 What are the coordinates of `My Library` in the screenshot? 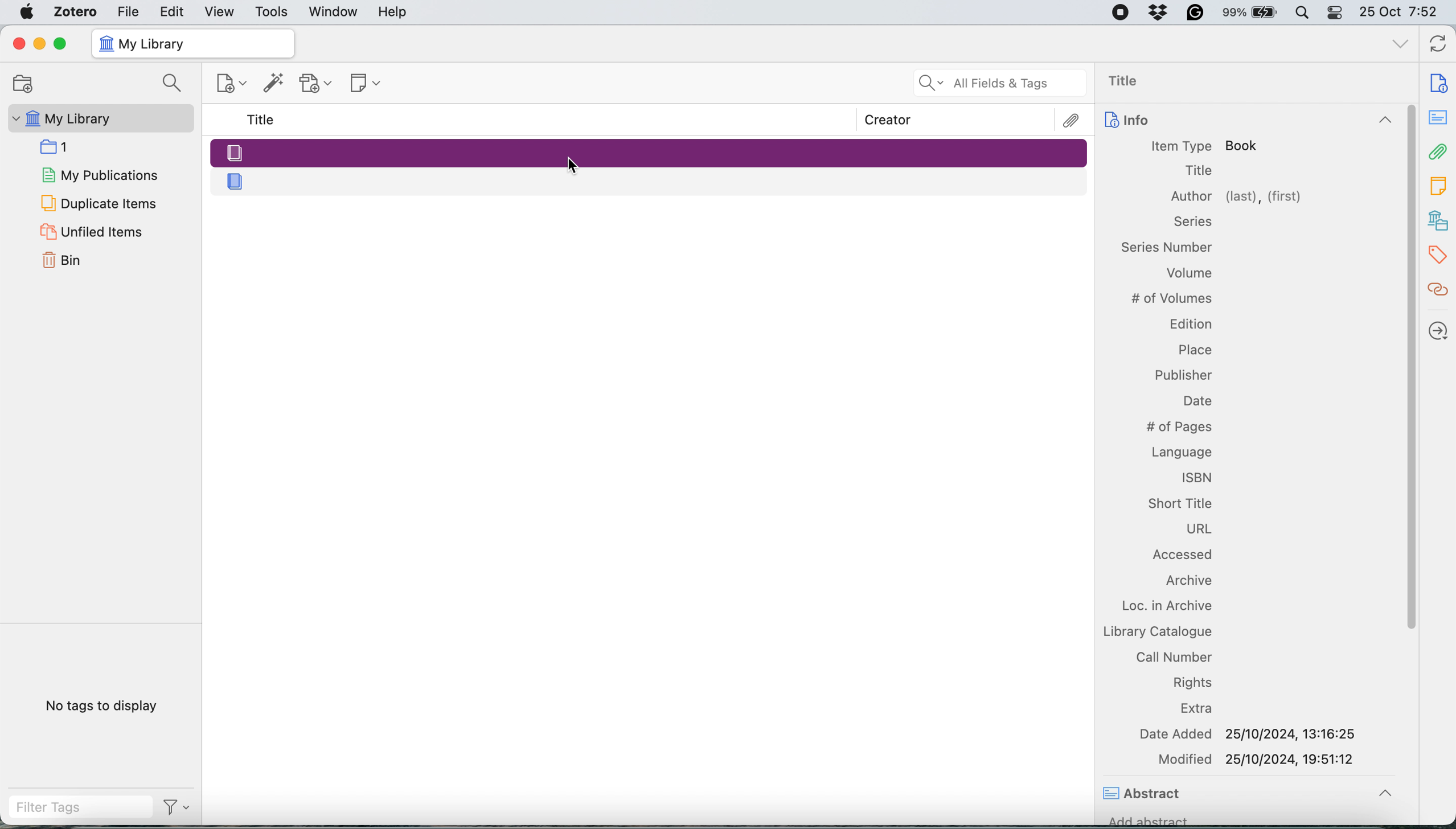 It's located at (192, 44).